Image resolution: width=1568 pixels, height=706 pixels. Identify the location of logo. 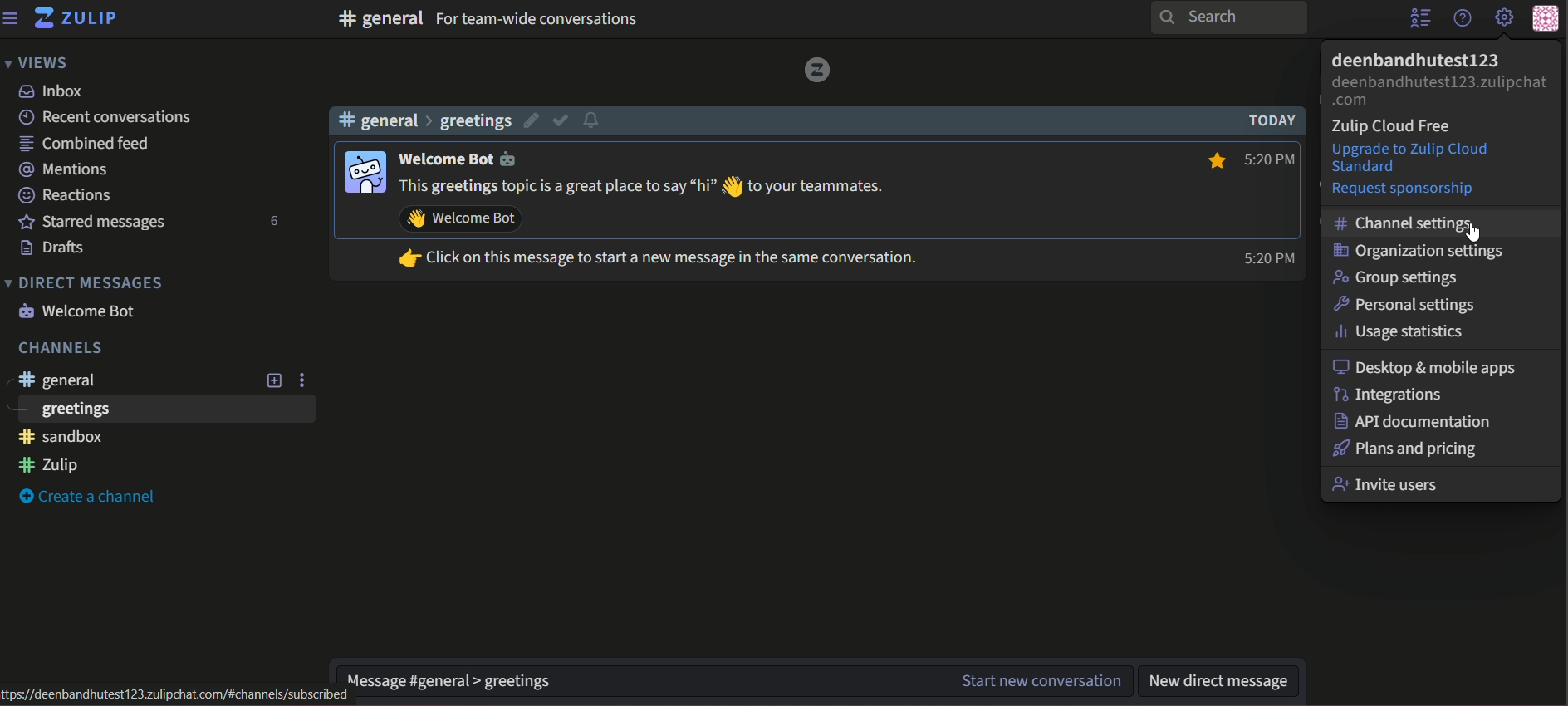
(815, 70).